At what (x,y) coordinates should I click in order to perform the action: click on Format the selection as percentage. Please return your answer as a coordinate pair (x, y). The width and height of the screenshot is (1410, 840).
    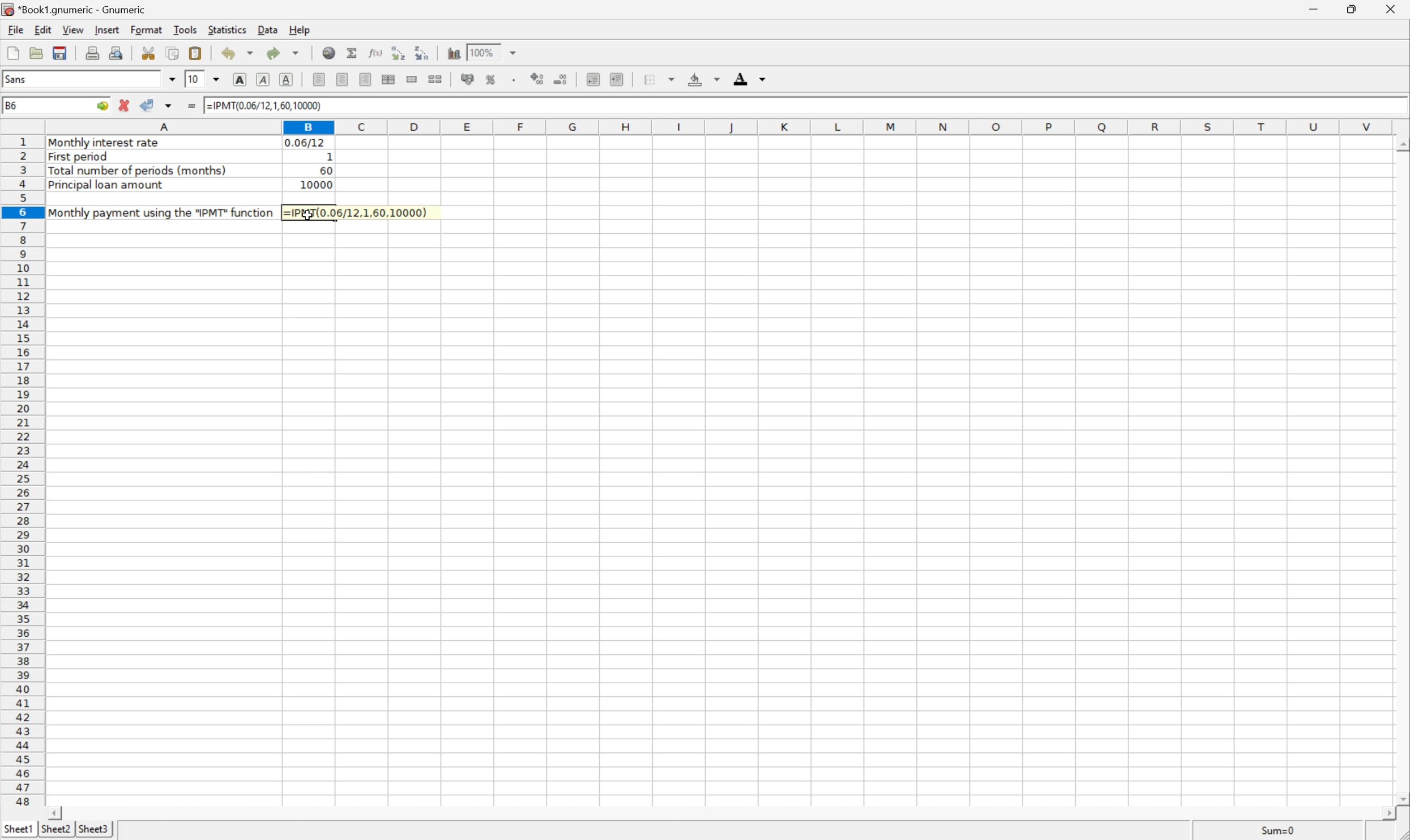
    Looking at the image, I should click on (491, 79).